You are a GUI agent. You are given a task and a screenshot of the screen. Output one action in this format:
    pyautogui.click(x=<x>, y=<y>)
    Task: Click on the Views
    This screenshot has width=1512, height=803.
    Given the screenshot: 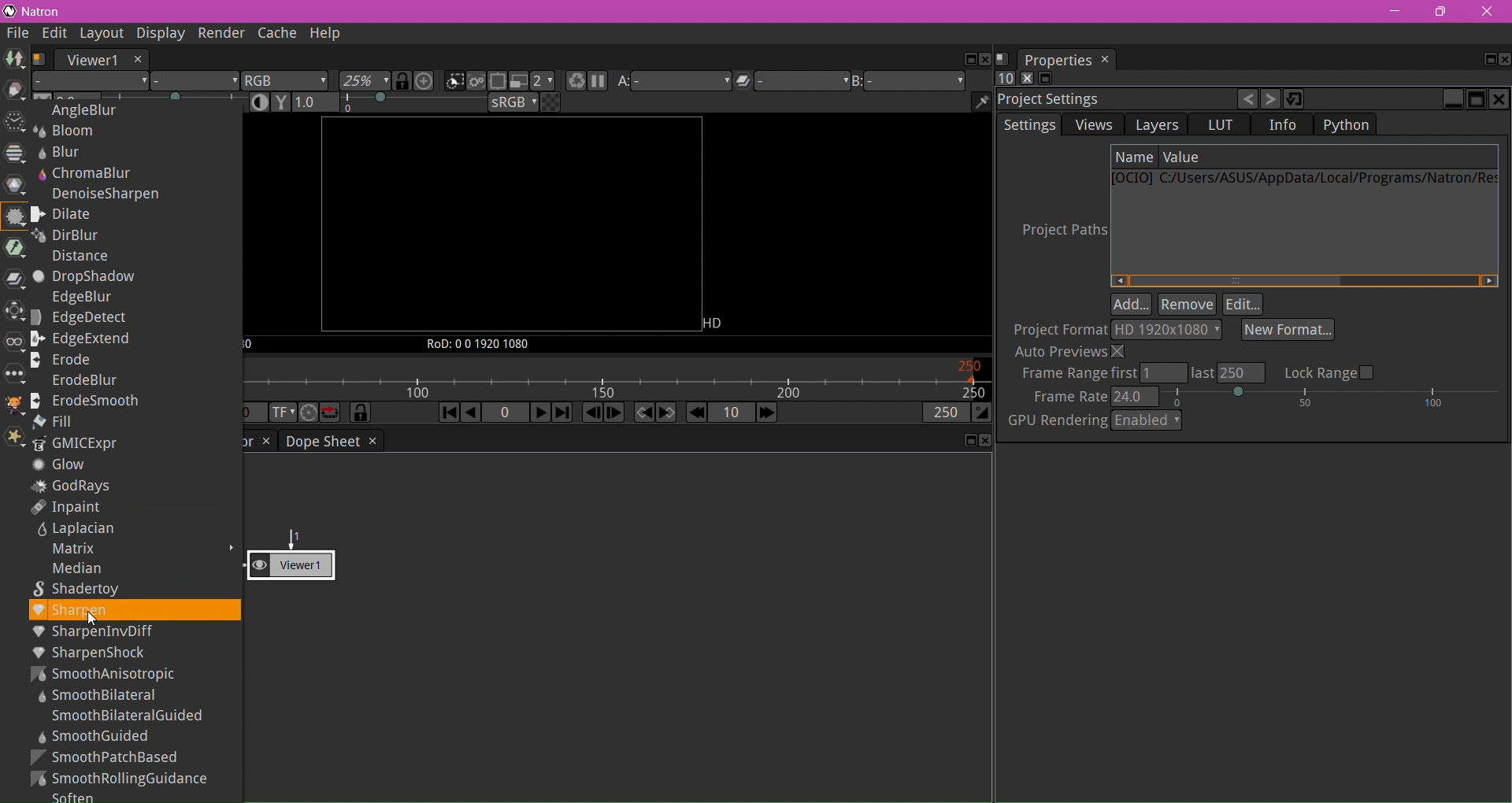 What is the action you would take?
    pyautogui.click(x=1094, y=124)
    